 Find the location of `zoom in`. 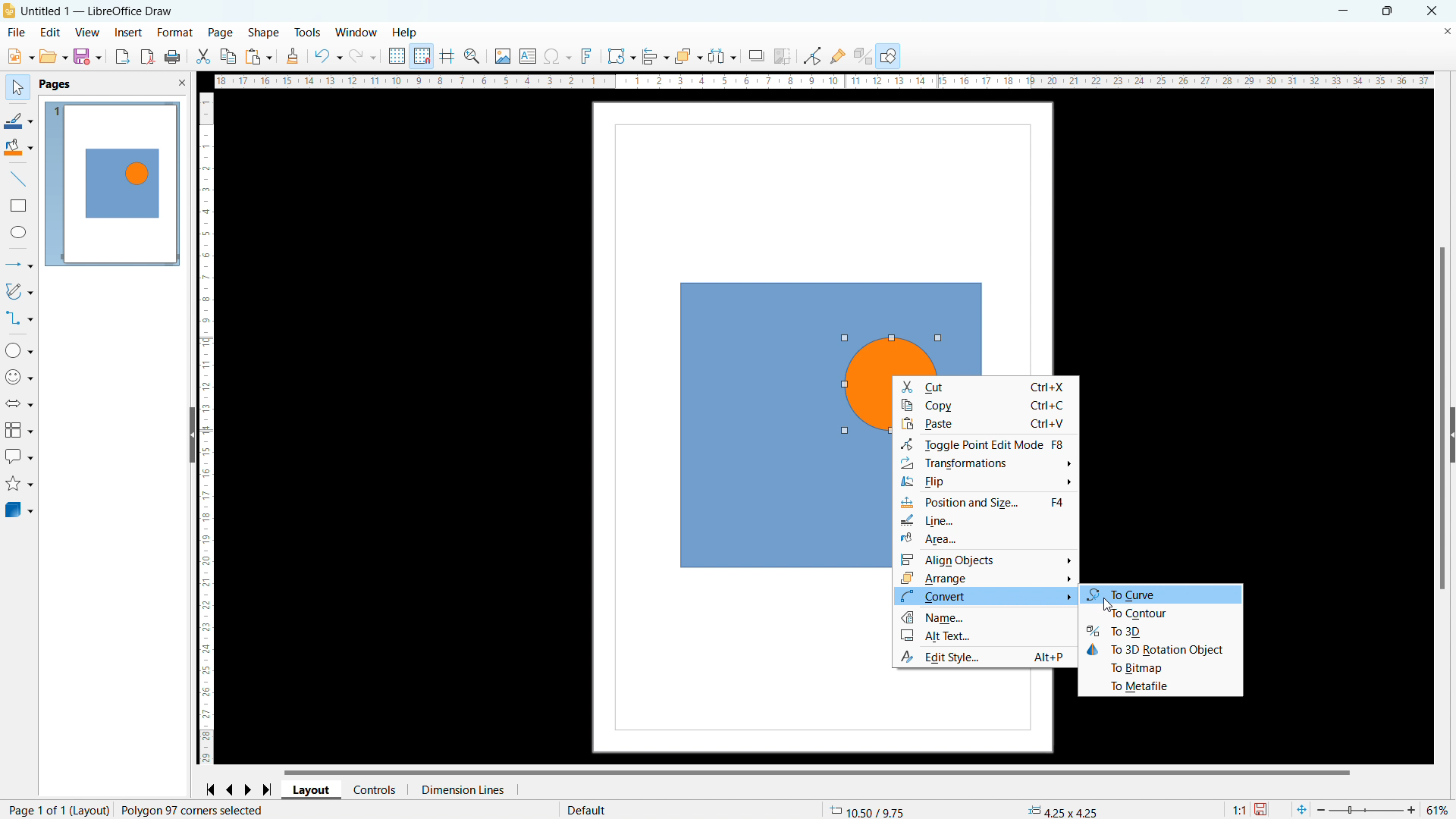

zoom in is located at coordinates (1413, 810).